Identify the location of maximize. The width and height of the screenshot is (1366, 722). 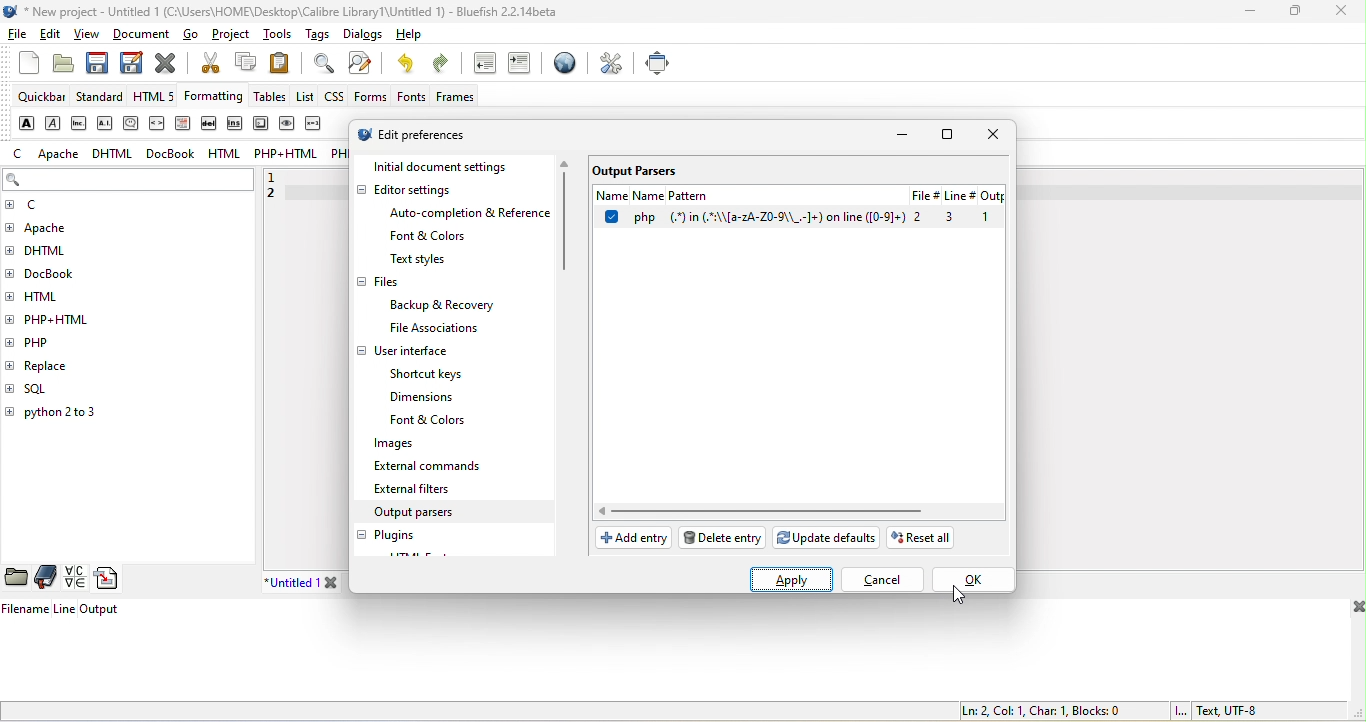
(1296, 13).